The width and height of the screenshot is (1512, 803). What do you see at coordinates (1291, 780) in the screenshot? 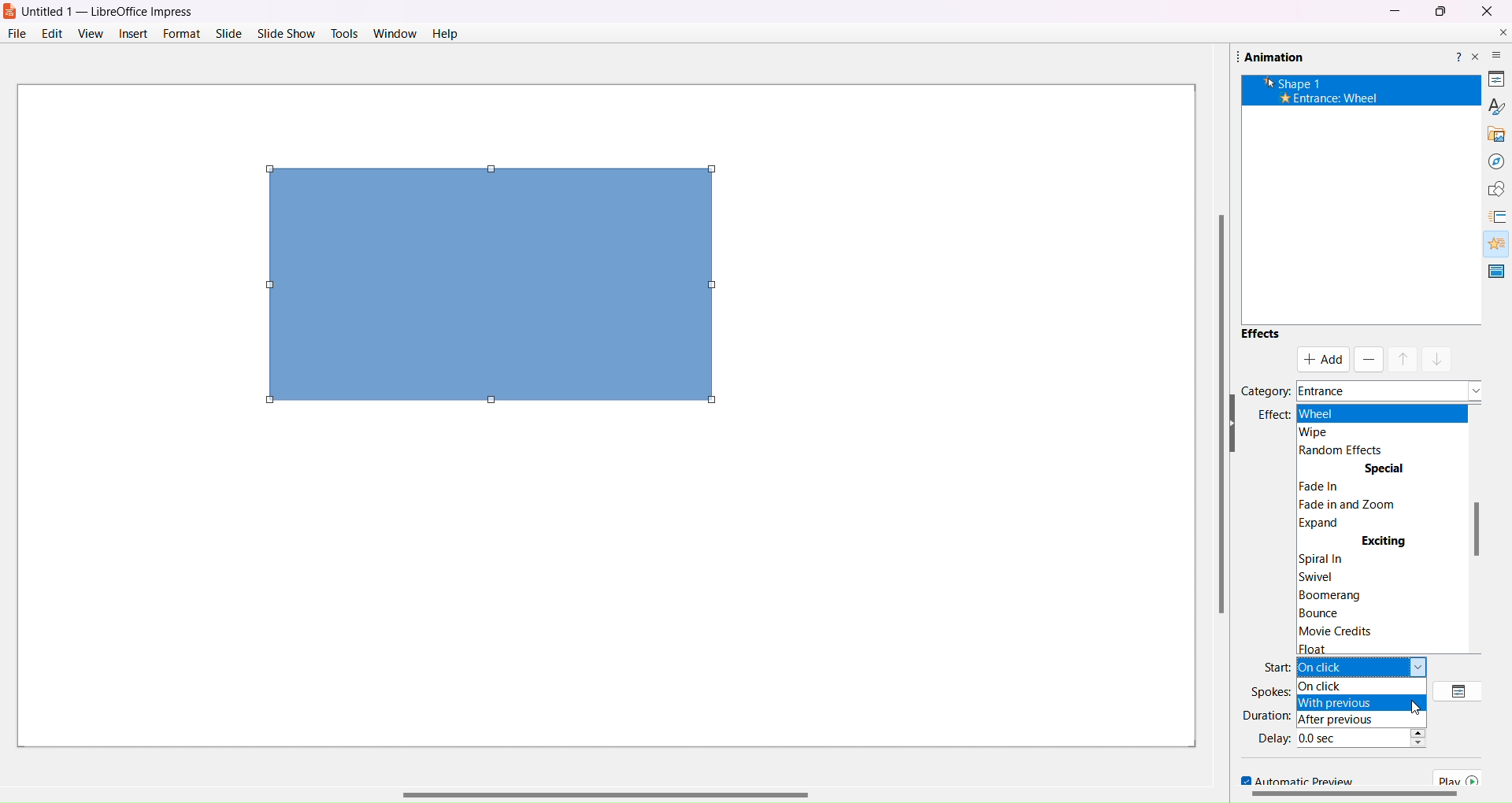
I see `Automatic Preview` at bounding box center [1291, 780].